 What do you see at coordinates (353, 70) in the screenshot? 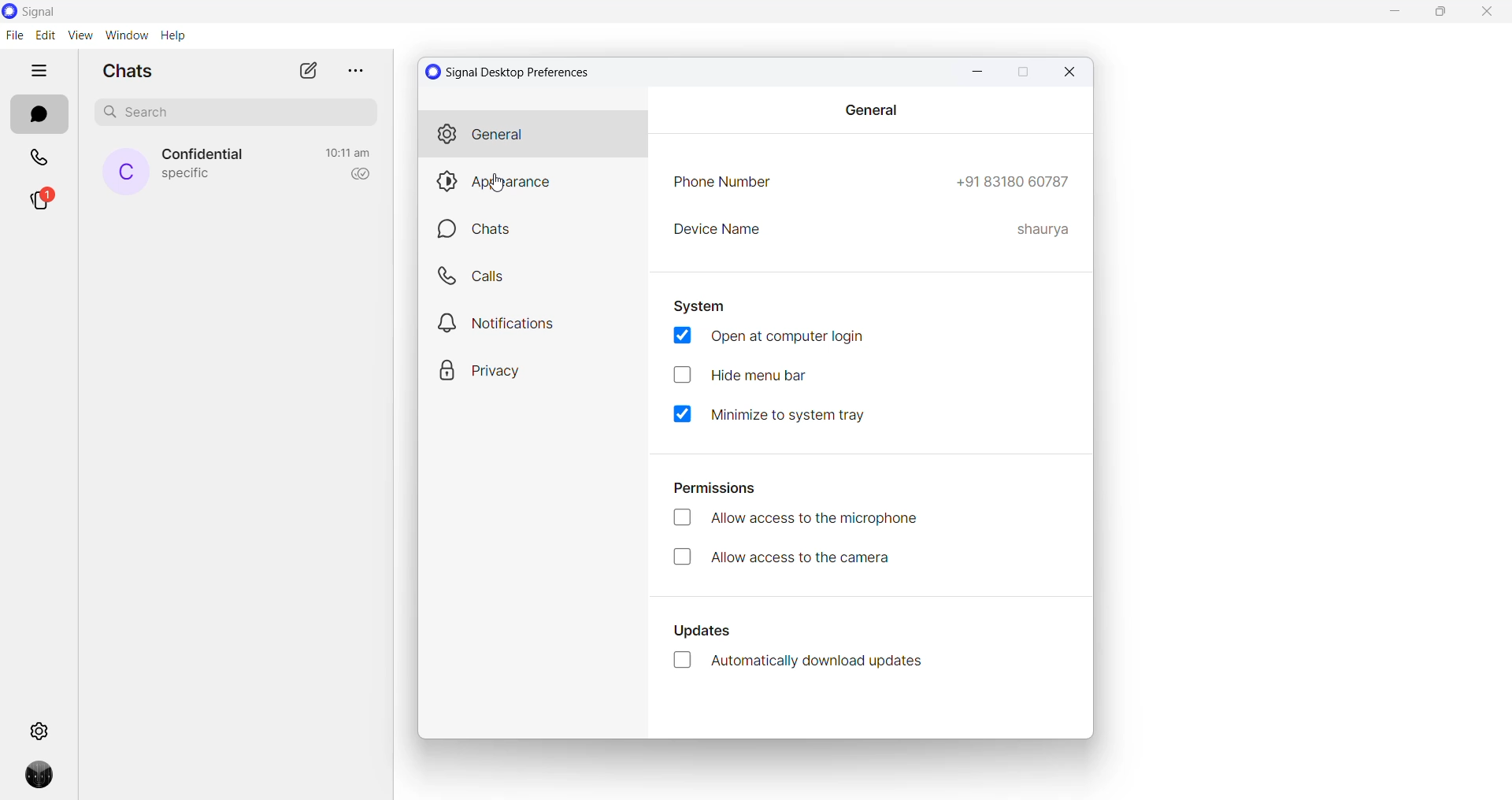
I see `more options` at bounding box center [353, 70].